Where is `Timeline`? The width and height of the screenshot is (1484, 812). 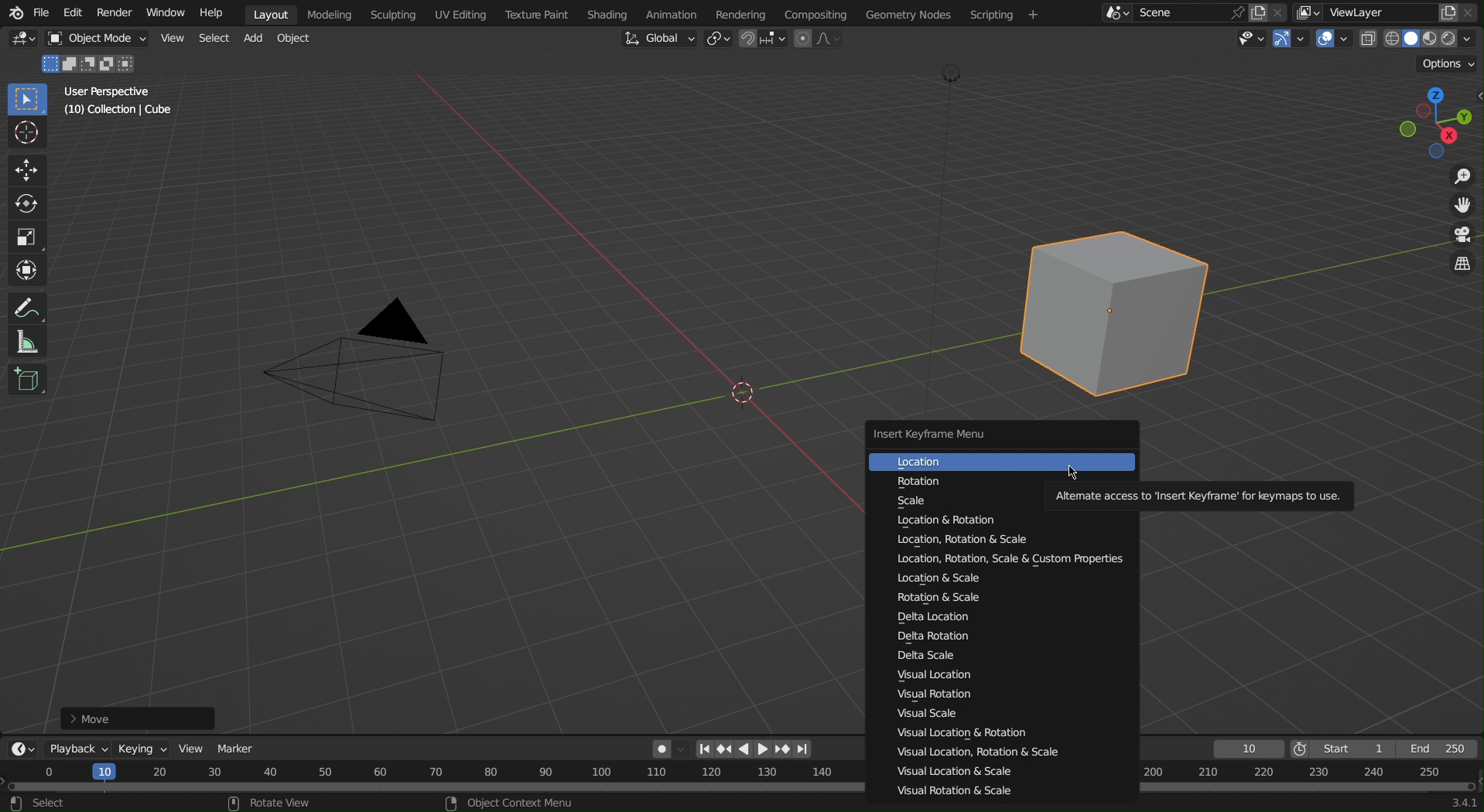 Timeline is located at coordinates (1308, 789).